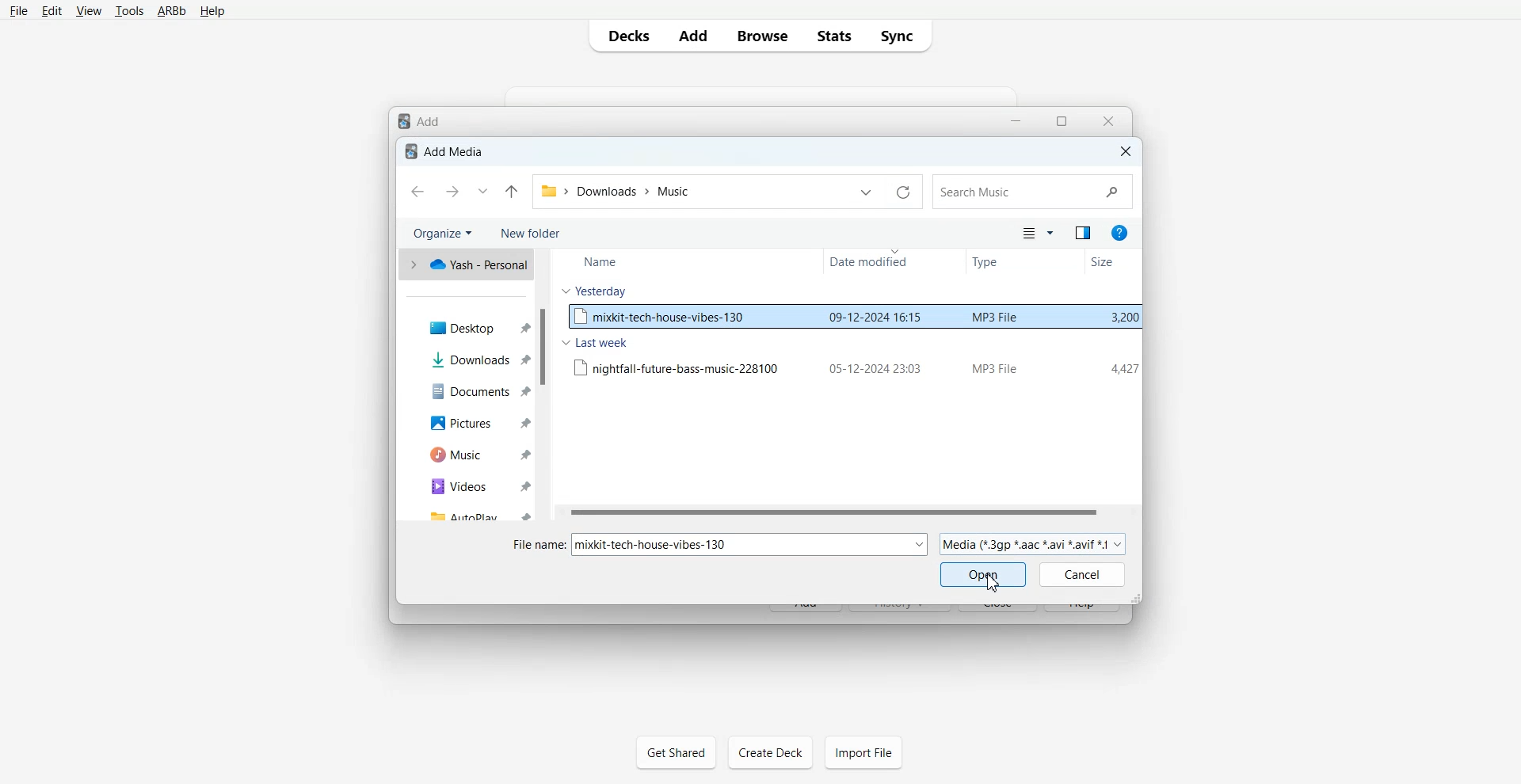 Image resolution: width=1521 pixels, height=784 pixels. What do you see at coordinates (1122, 233) in the screenshot?
I see `Get Help` at bounding box center [1122, 233].